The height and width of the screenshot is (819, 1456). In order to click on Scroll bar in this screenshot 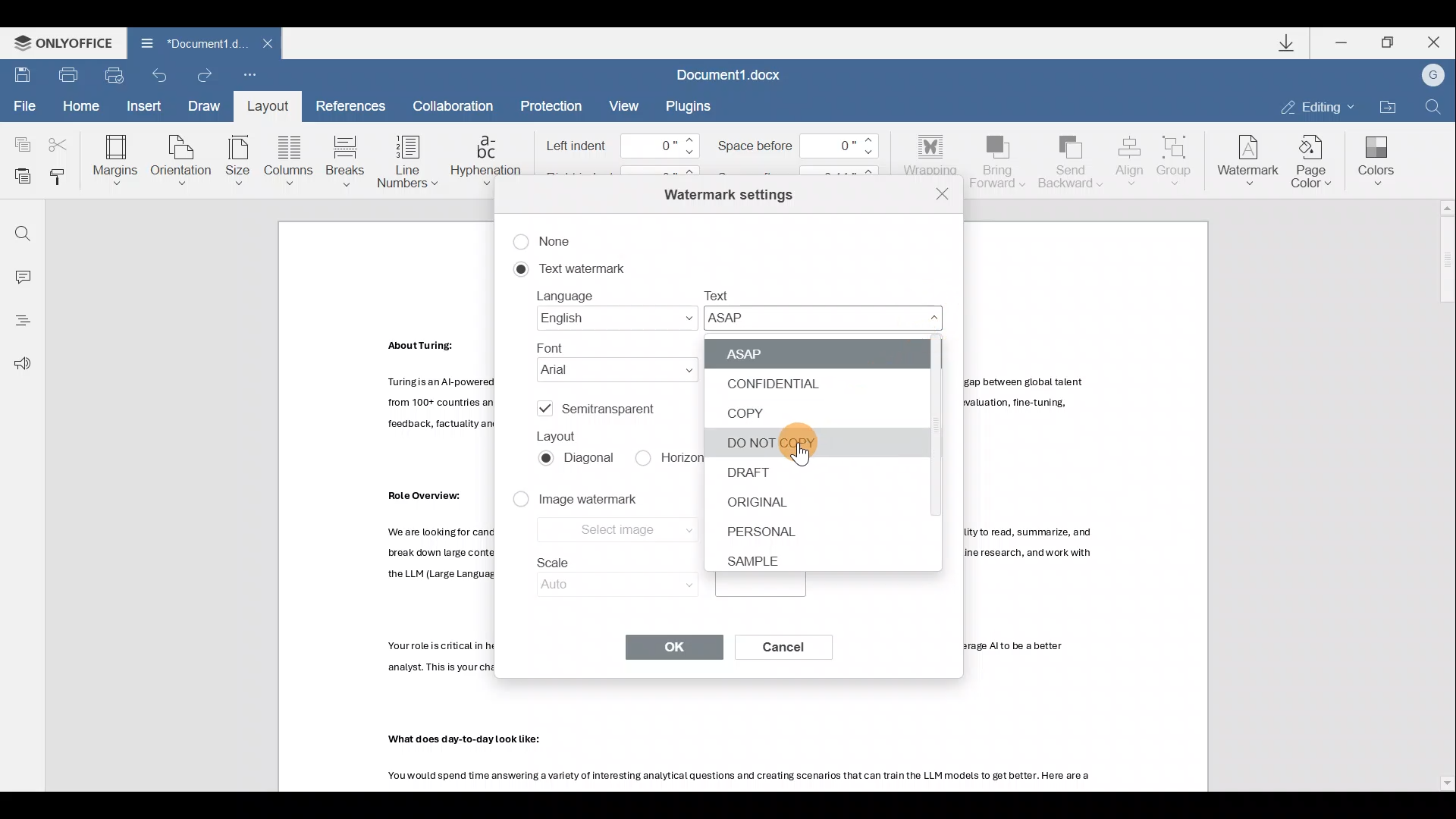, I will do `click(949, 449)`.